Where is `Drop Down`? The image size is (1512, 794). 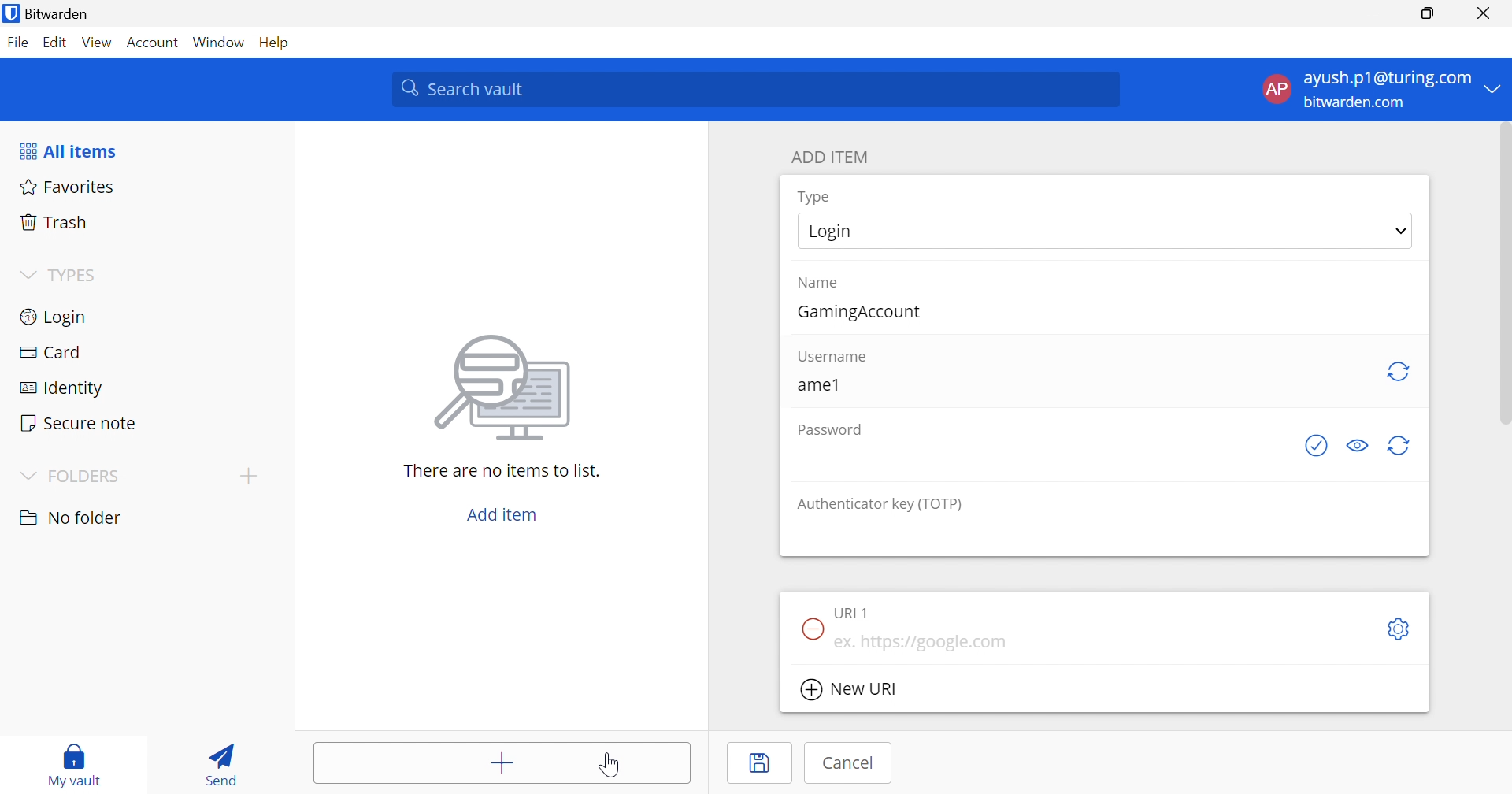 Drop Down is located at coordinates (24, 475).